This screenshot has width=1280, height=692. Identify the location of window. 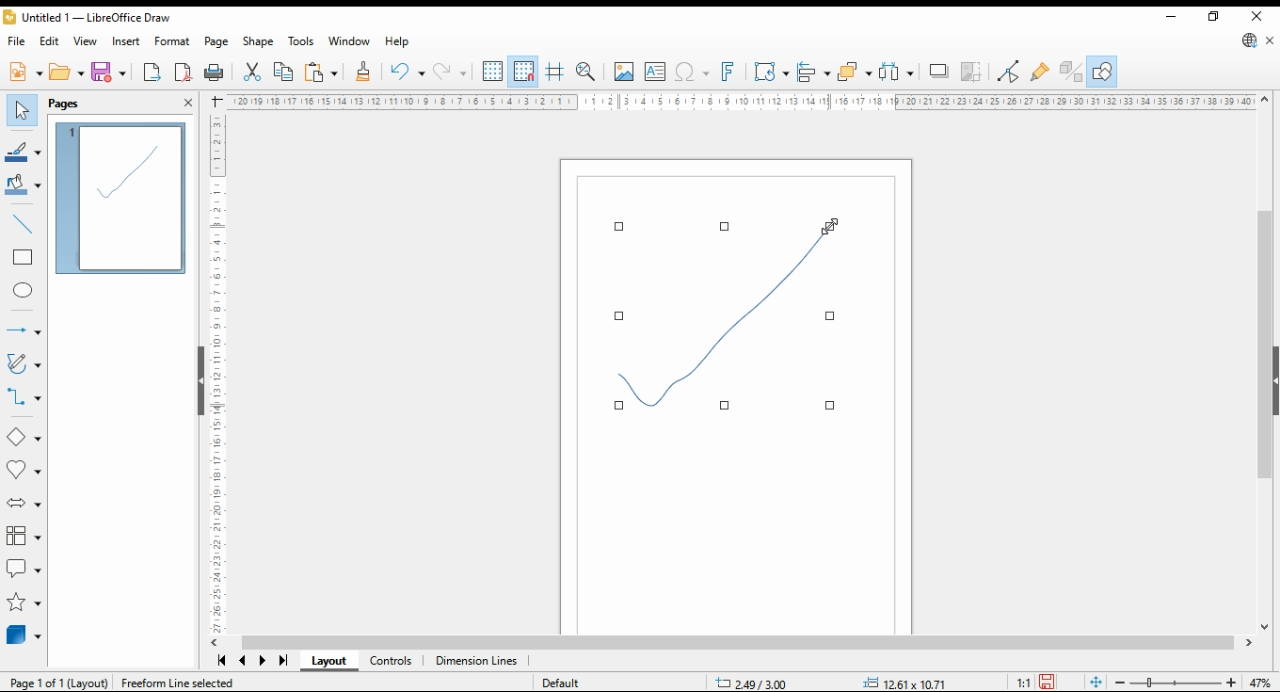
(349, 41).